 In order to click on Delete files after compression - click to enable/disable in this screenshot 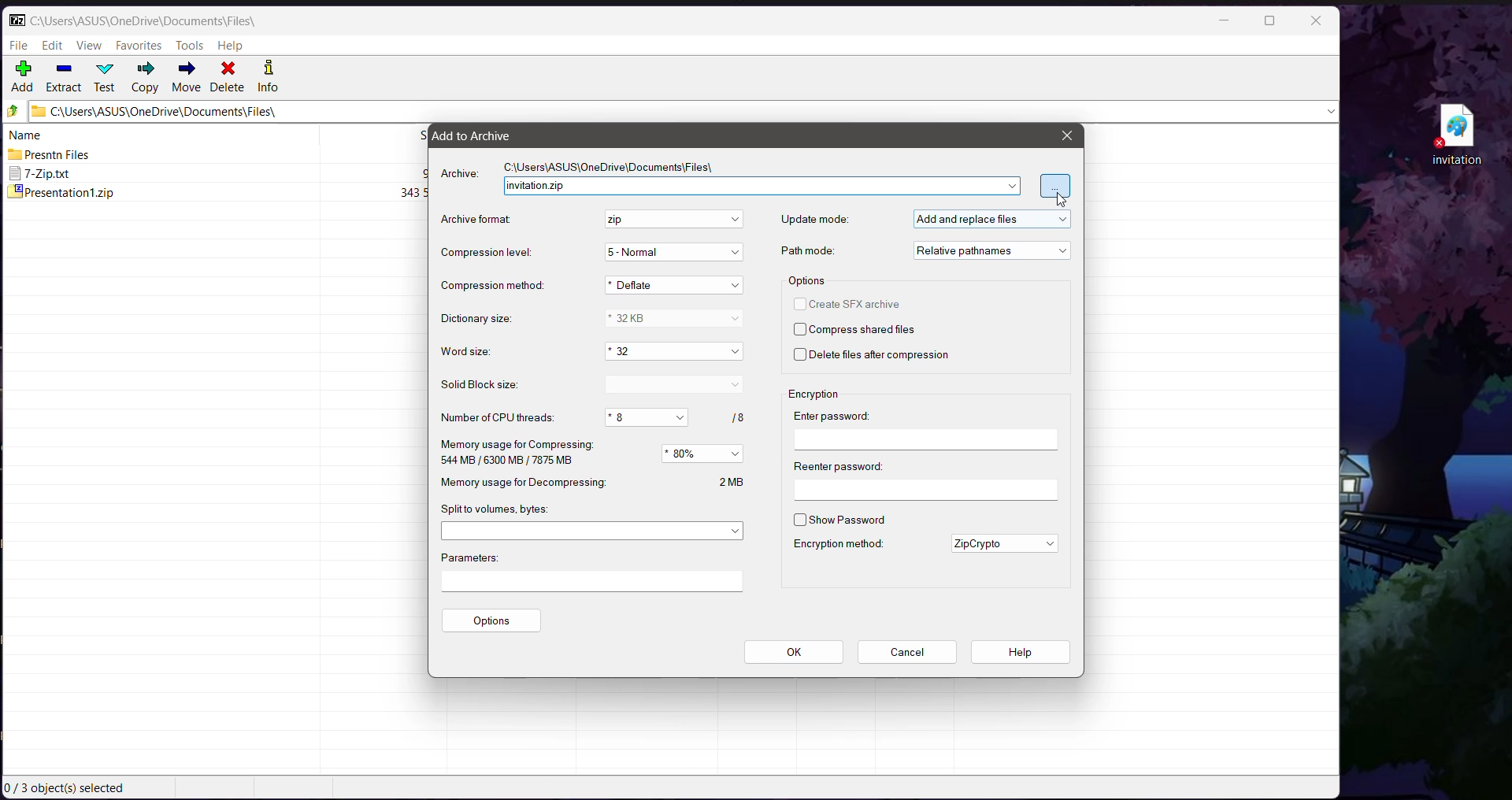, I will do `click(876, 357)`.